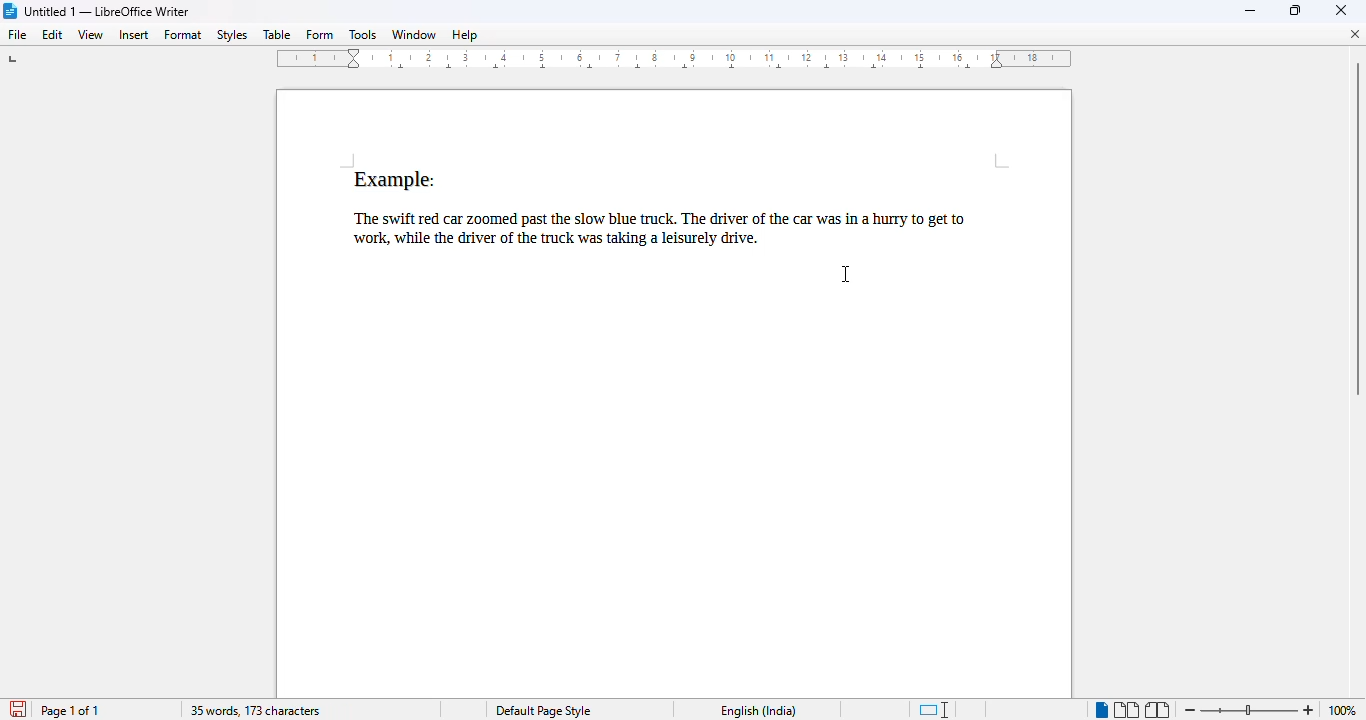 This screenshot has height=720, width=1366. What do you see at coordinates (70, 710) in the screenshot?
I see `page 1 of 1` at bounding box center [70, 710].